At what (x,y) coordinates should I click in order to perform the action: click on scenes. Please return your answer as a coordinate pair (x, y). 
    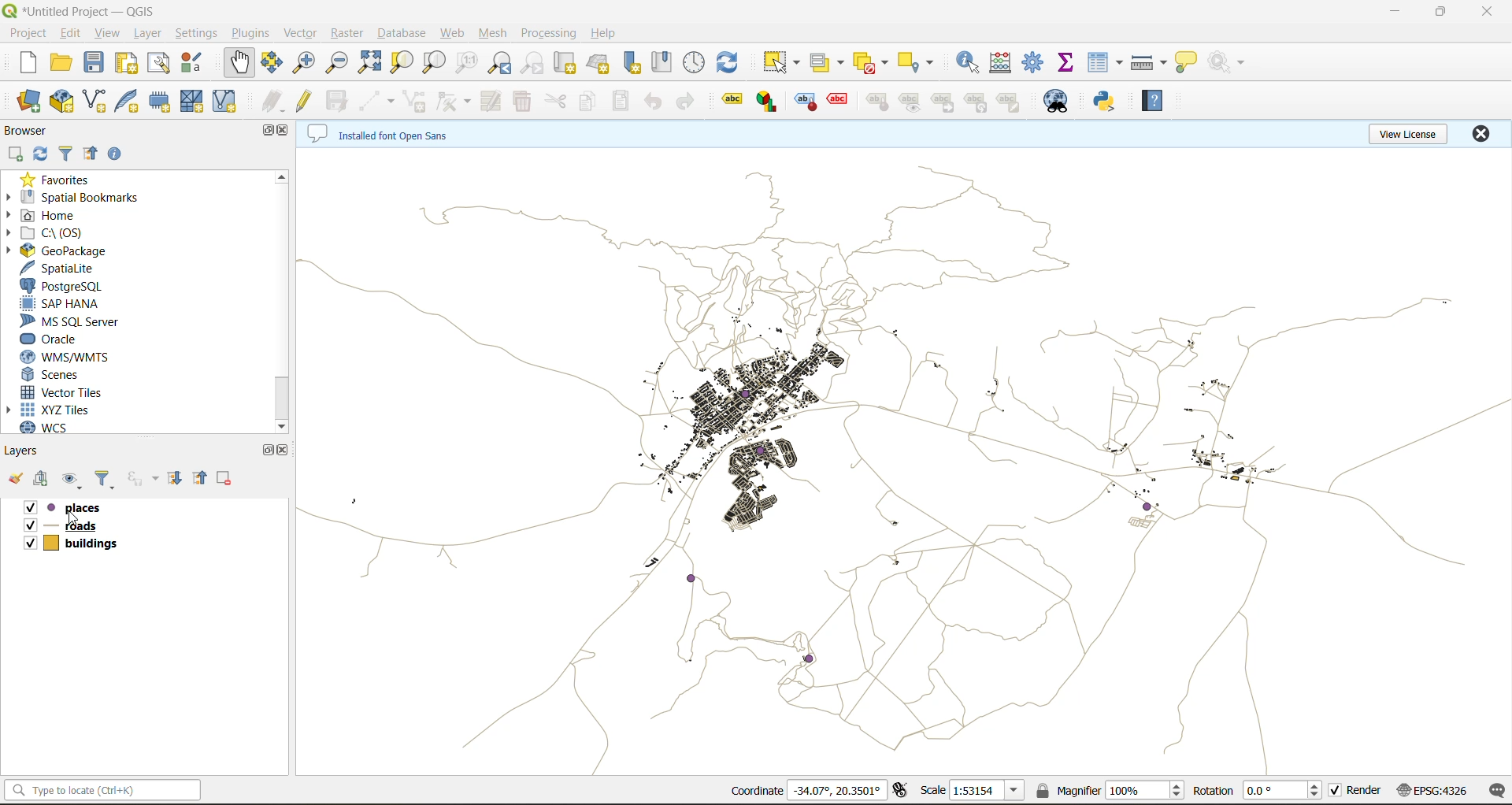
    Looking at the image, I should click on (80, 376).